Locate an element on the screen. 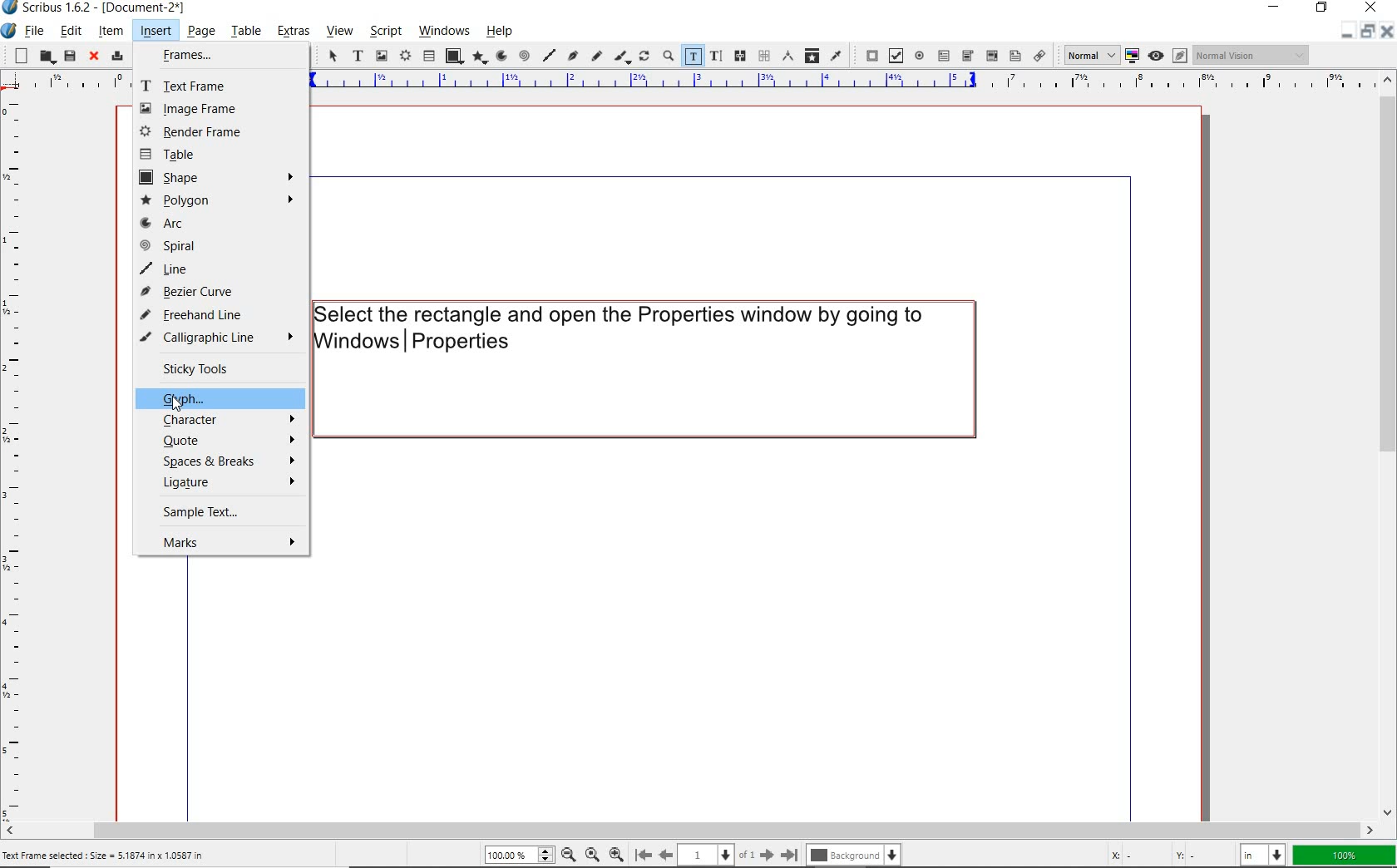 The image size is (1397, 868). copy item properties is located at coordinates (812, 55).